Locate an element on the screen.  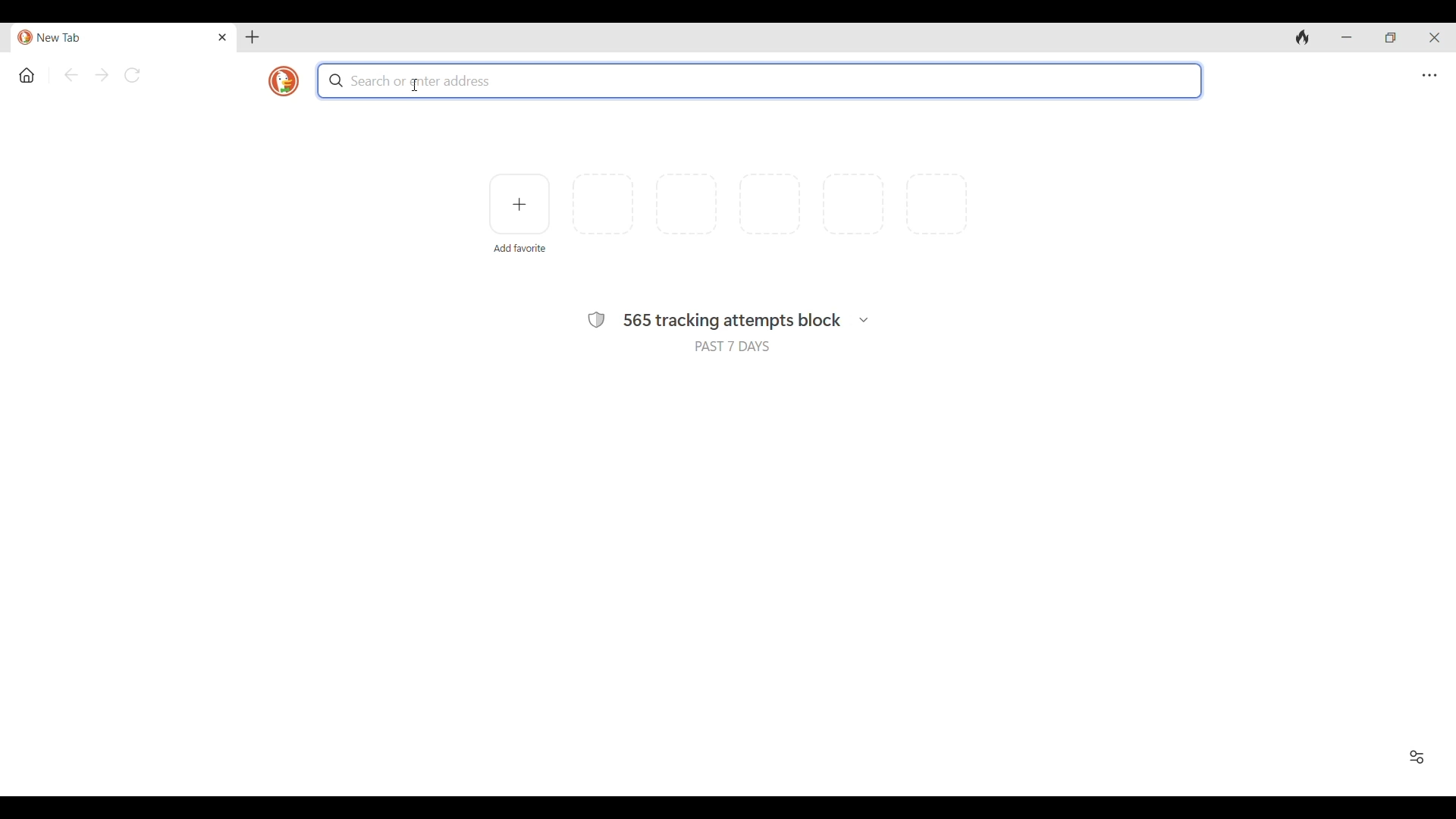
PAST 7 DAYS is located at coordinates (733, 346).